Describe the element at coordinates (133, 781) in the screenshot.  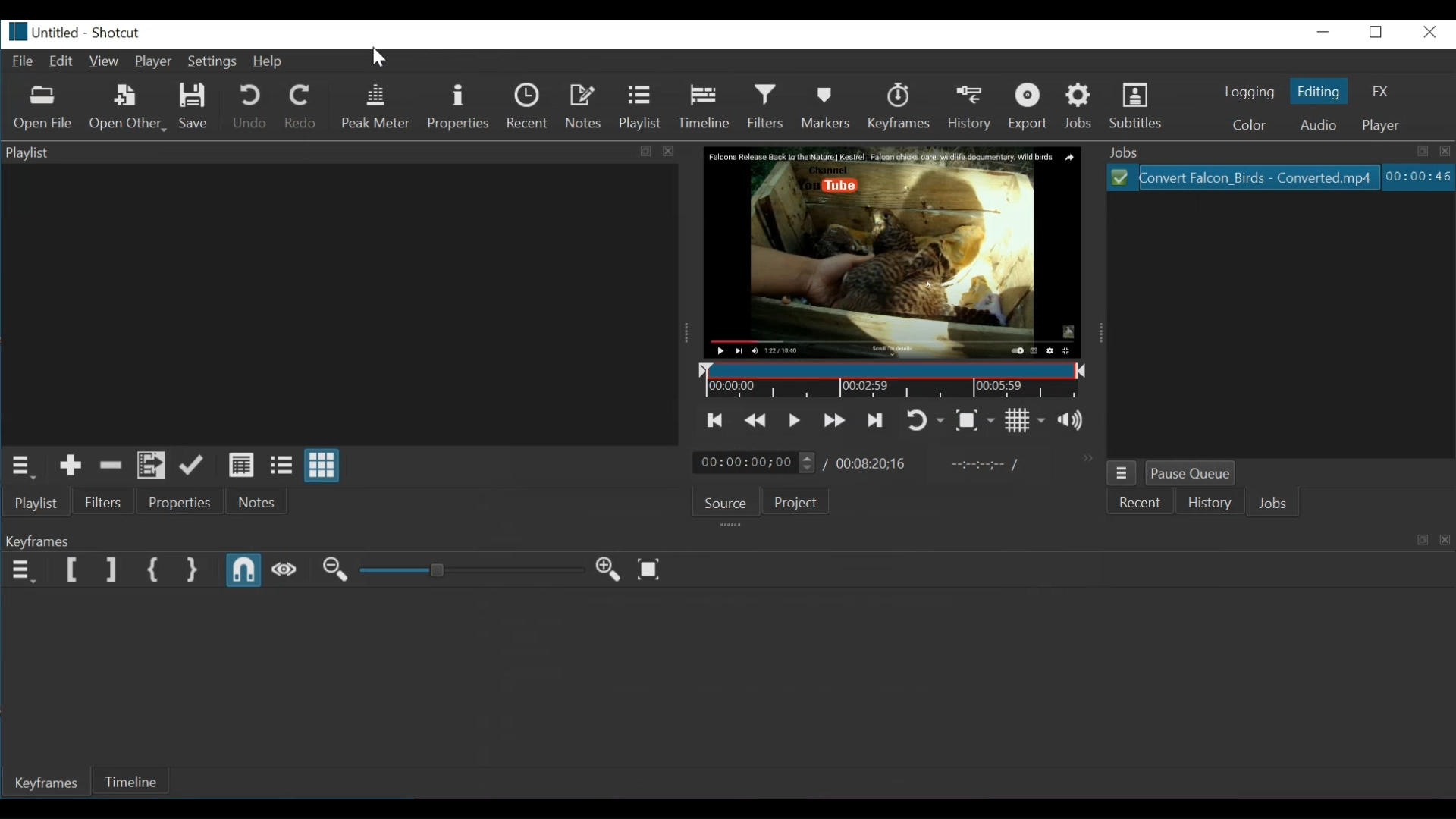
I see `Timeline` at that location.